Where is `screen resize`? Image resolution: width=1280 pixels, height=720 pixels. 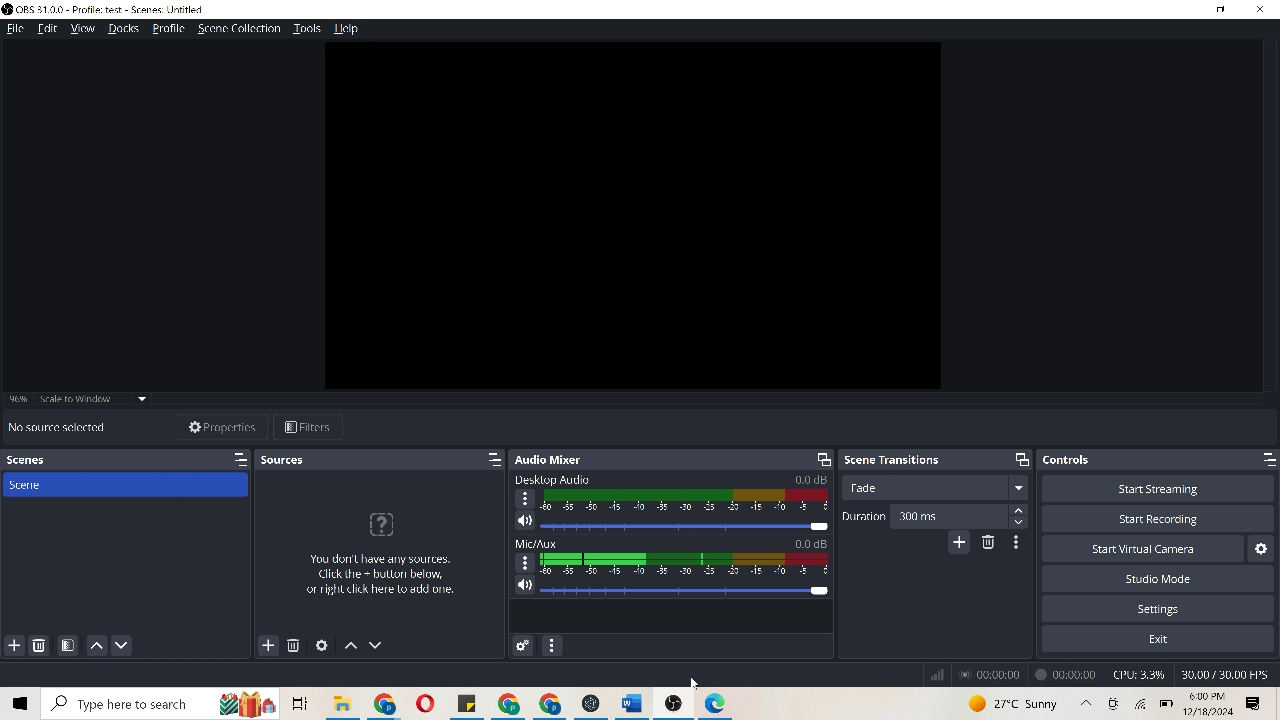
screen resize is located at coordinates (817, 459).